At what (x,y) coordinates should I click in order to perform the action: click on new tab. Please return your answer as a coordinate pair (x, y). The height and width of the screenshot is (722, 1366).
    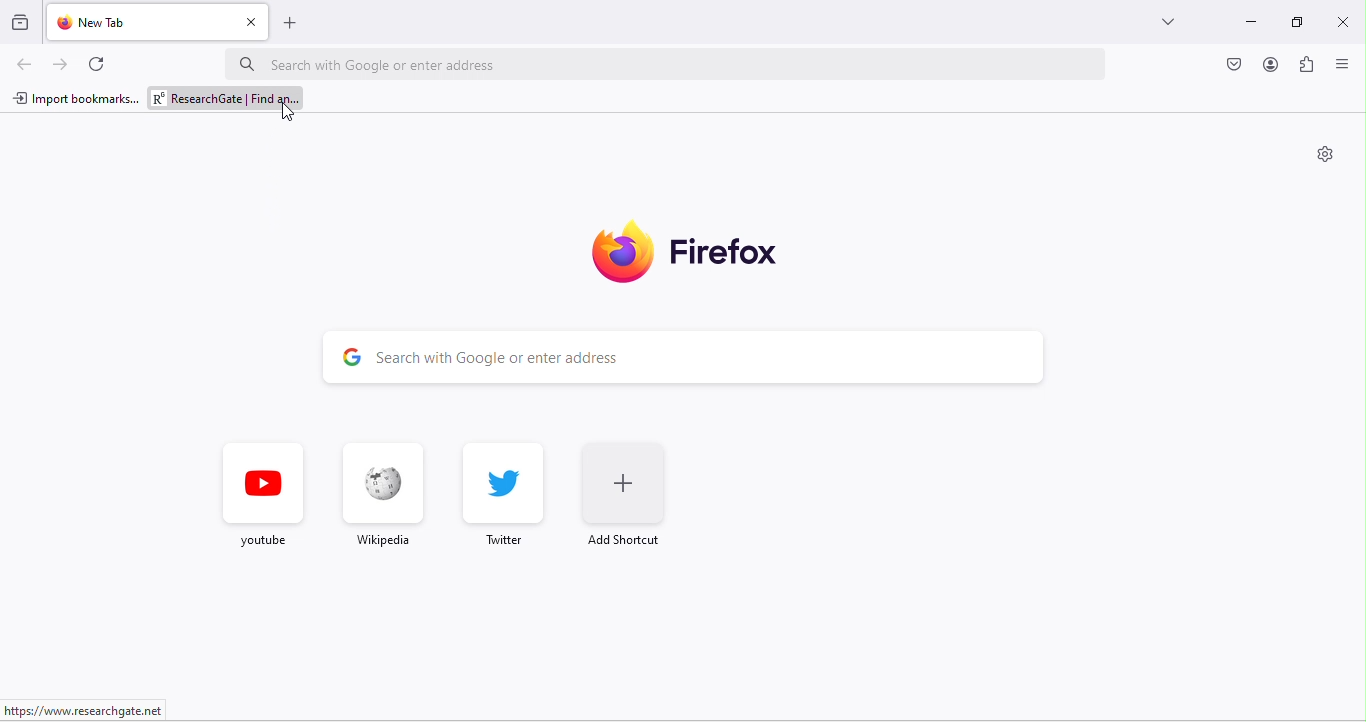
    Looking at the image, I should click on (137, 22).